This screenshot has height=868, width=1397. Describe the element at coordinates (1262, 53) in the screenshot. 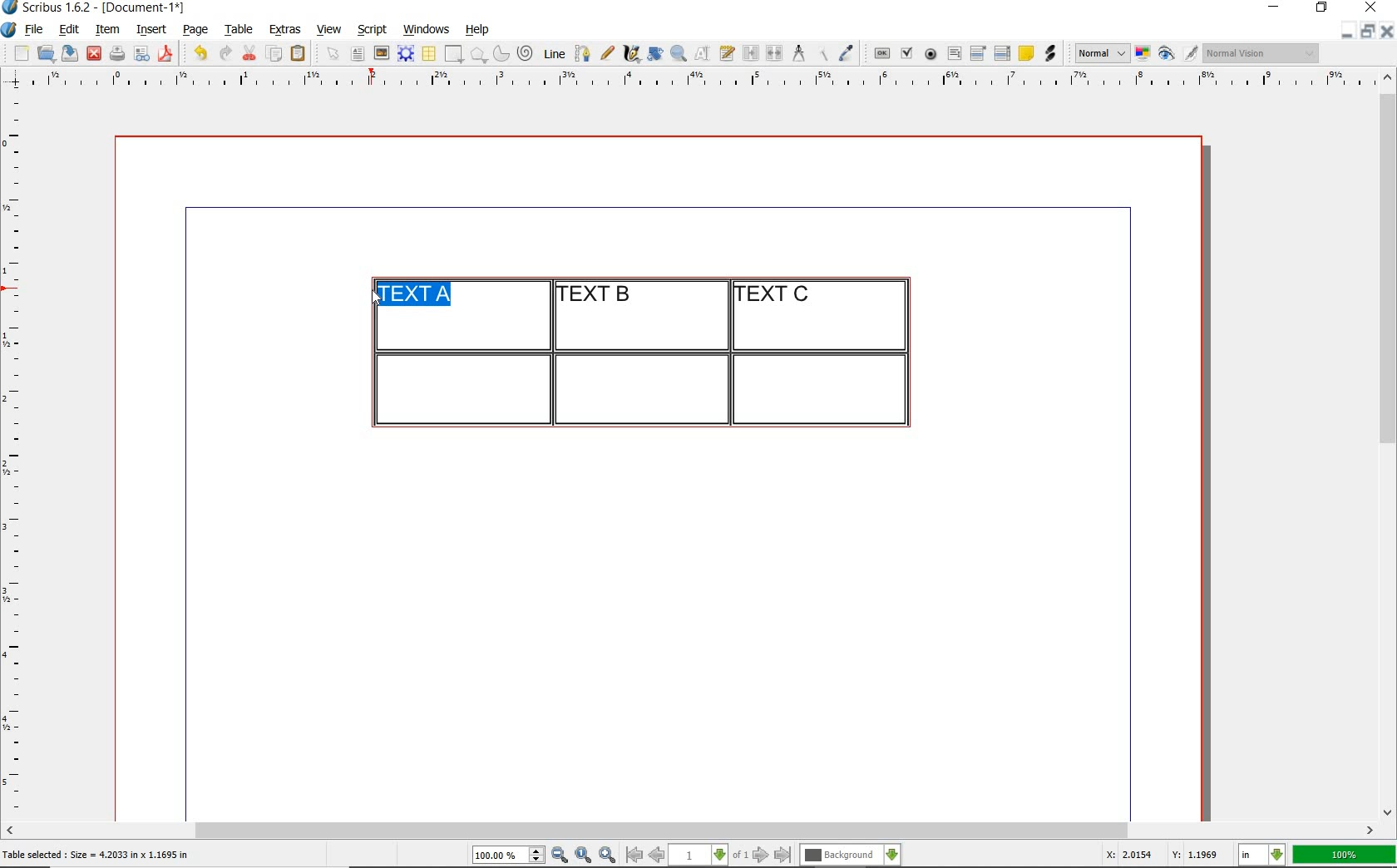

I see `visual appearance of the display` at that location.